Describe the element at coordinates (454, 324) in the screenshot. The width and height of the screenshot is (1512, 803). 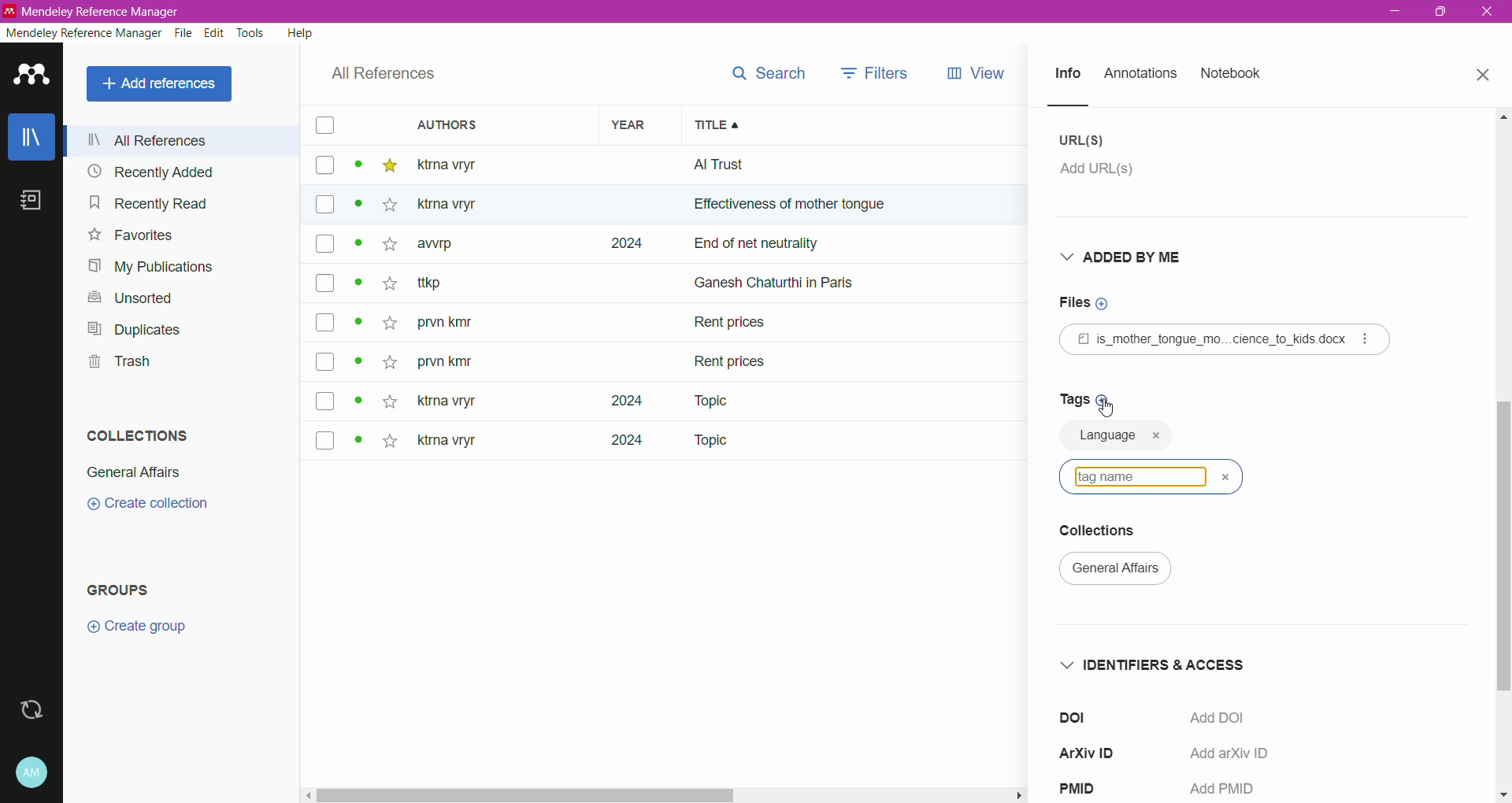
I see `prvn kity` at that location.